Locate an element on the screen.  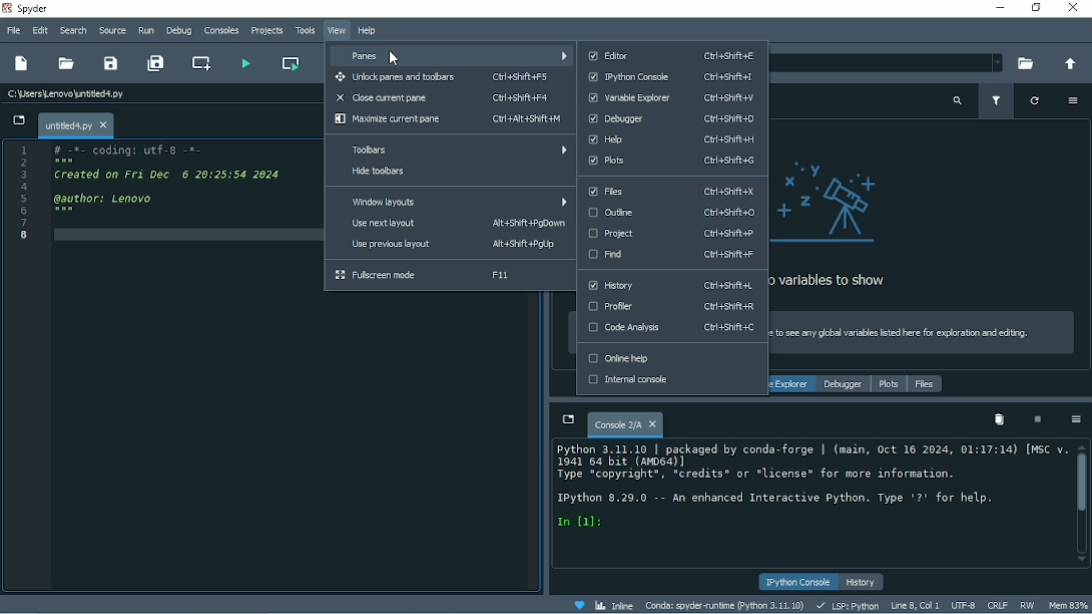
Console is located at coordinates (625, 422).